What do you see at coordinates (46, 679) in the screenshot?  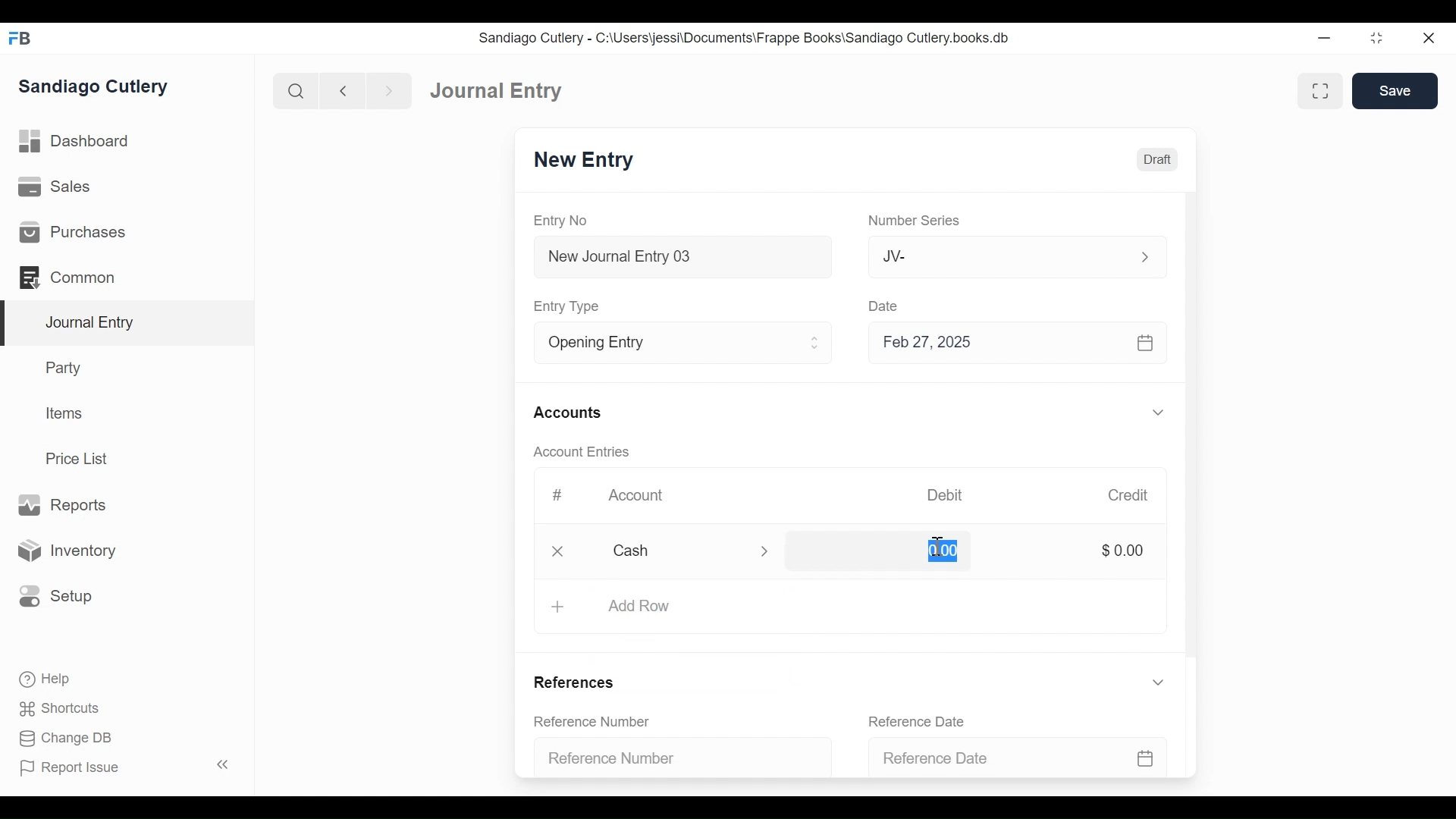 I see `Help` at bounding box center [46, 679].